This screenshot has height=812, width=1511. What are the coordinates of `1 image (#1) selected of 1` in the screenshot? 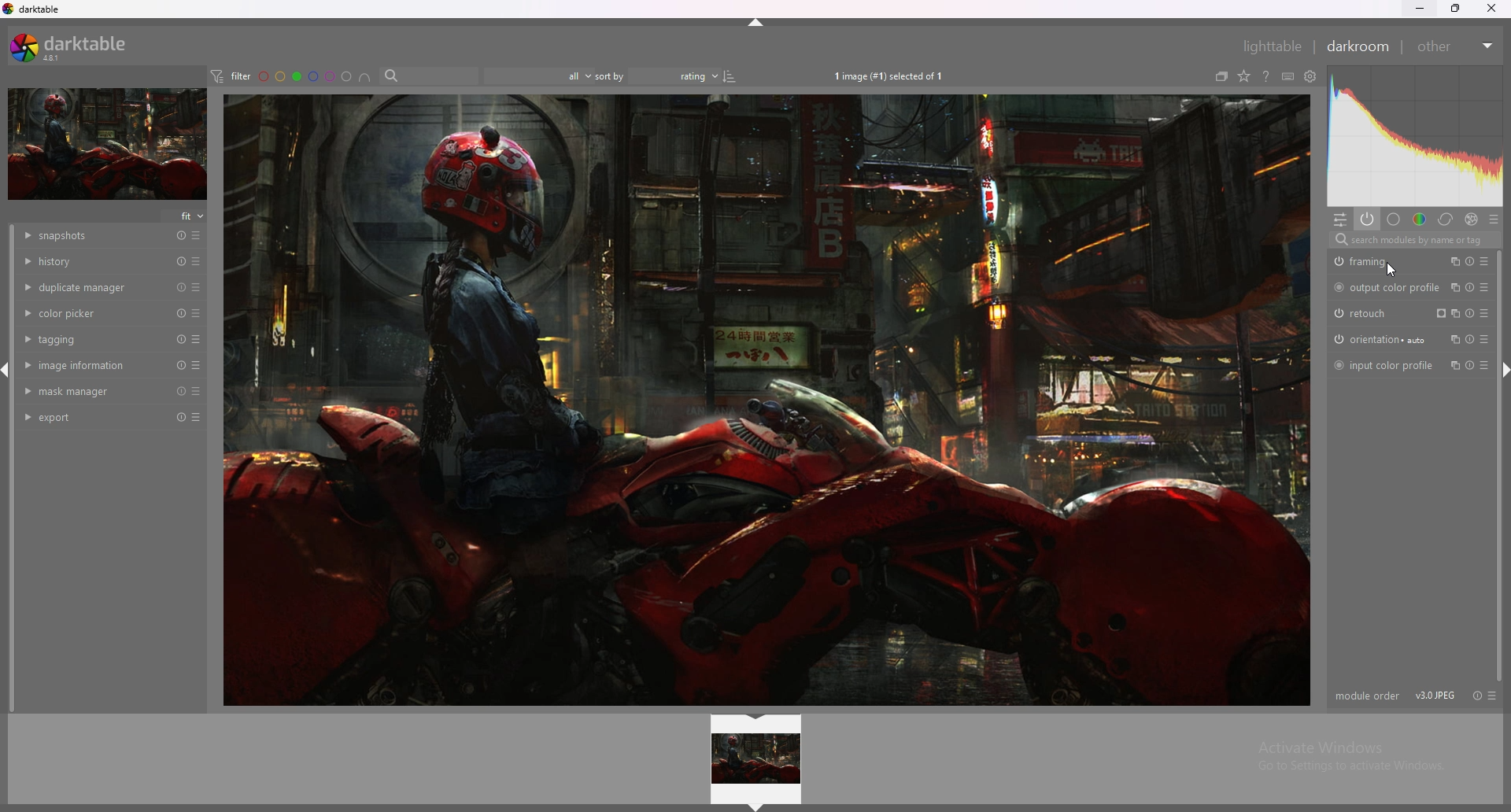 It's located at (892, 75).